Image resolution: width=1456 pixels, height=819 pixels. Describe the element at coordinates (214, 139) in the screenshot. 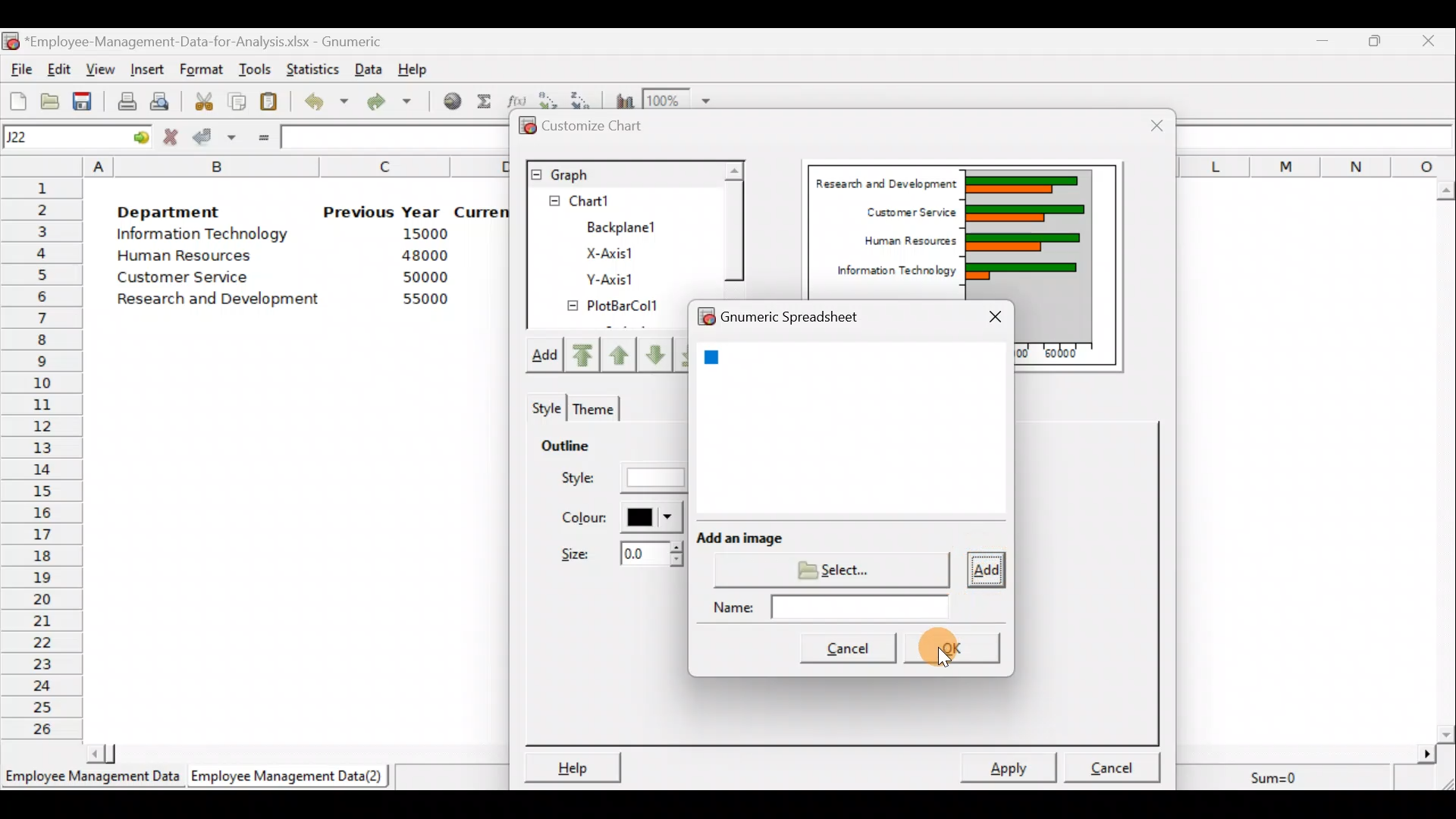

I see `Accept change` at that location.